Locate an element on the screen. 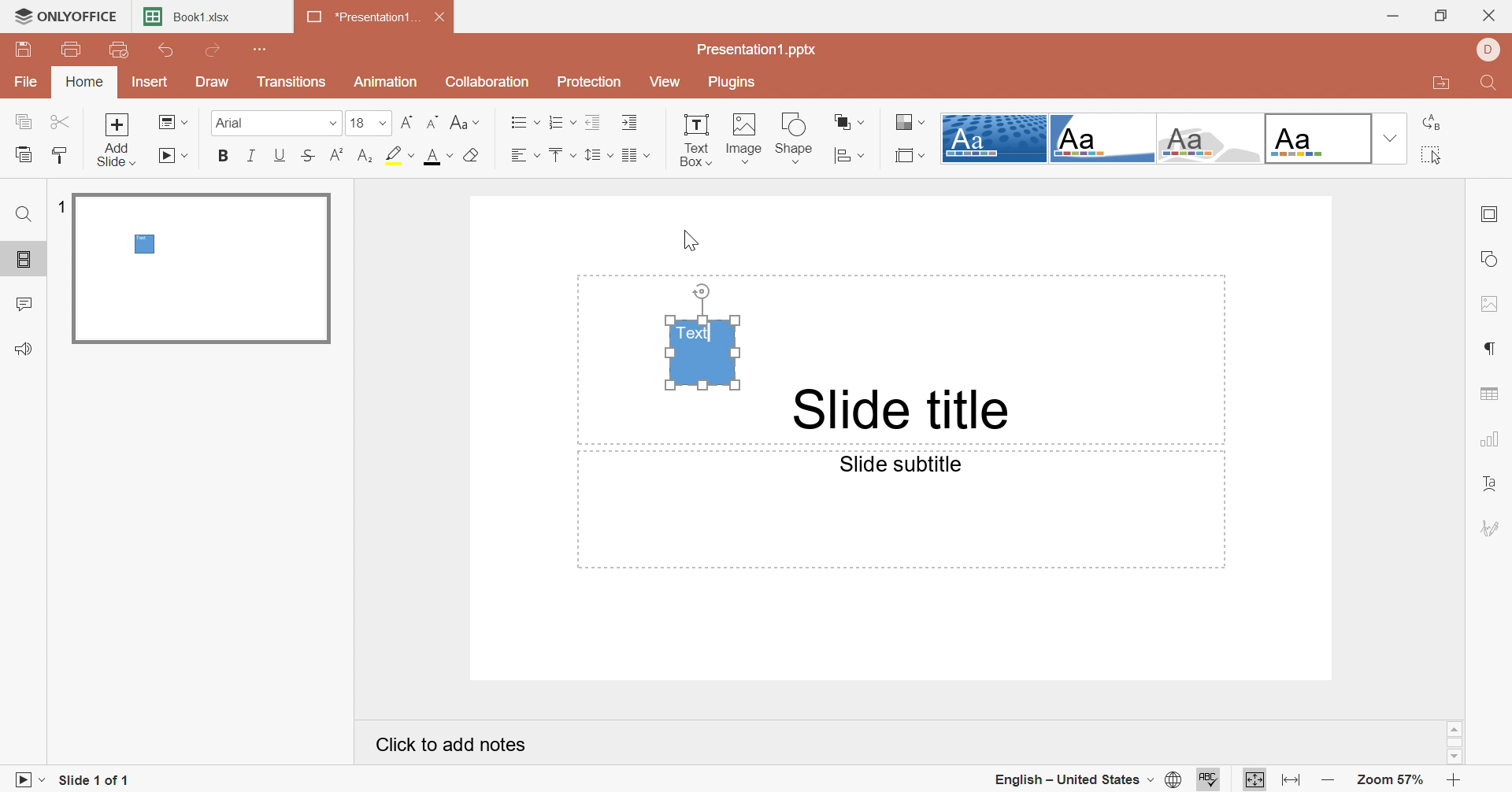 This screenshot has width=1512, height=792. Slide settings is located at coordinates (1492, 214).